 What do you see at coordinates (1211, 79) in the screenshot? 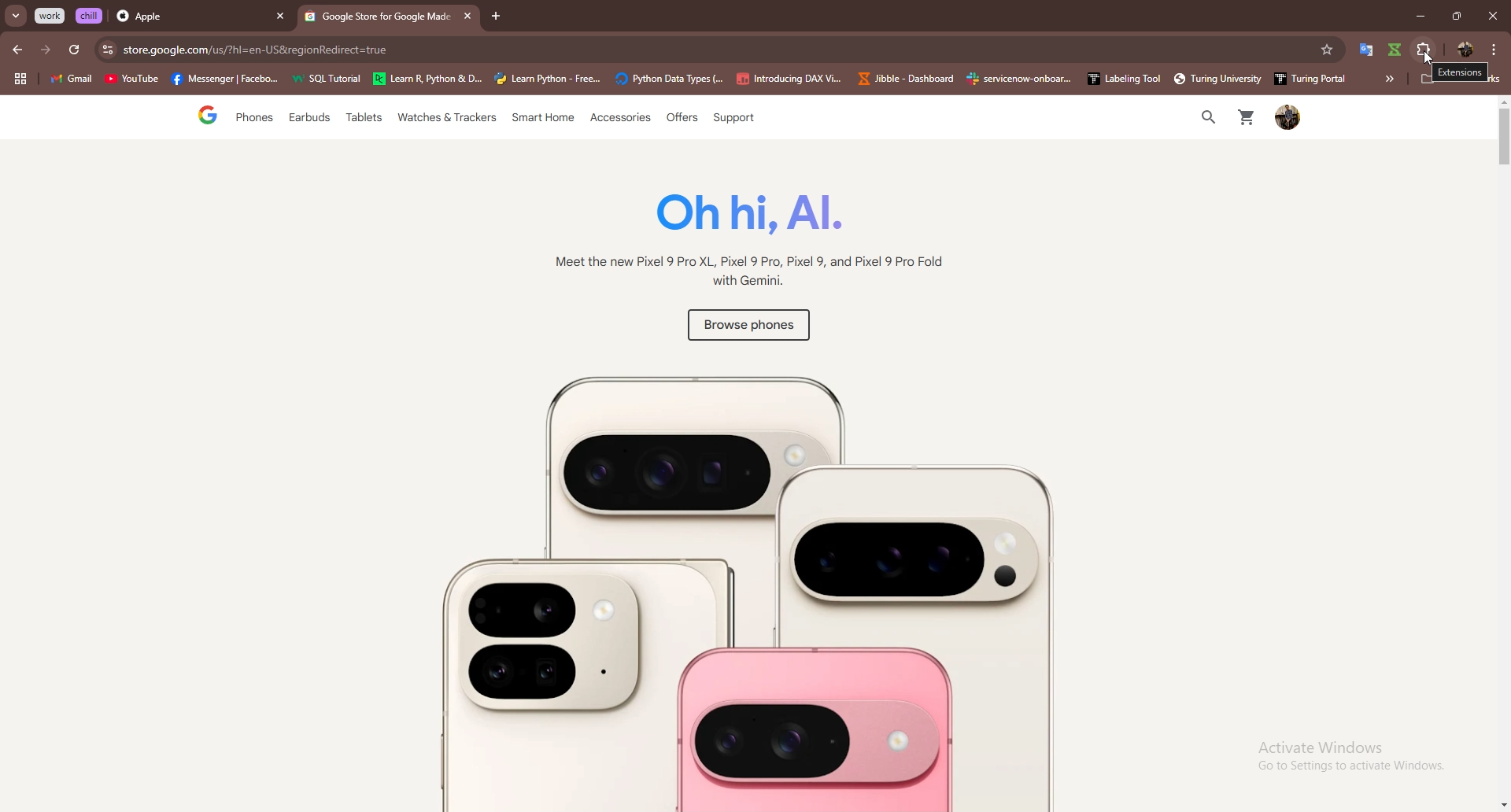
I see `Turing Universit` at bounding box center [1211, 79].